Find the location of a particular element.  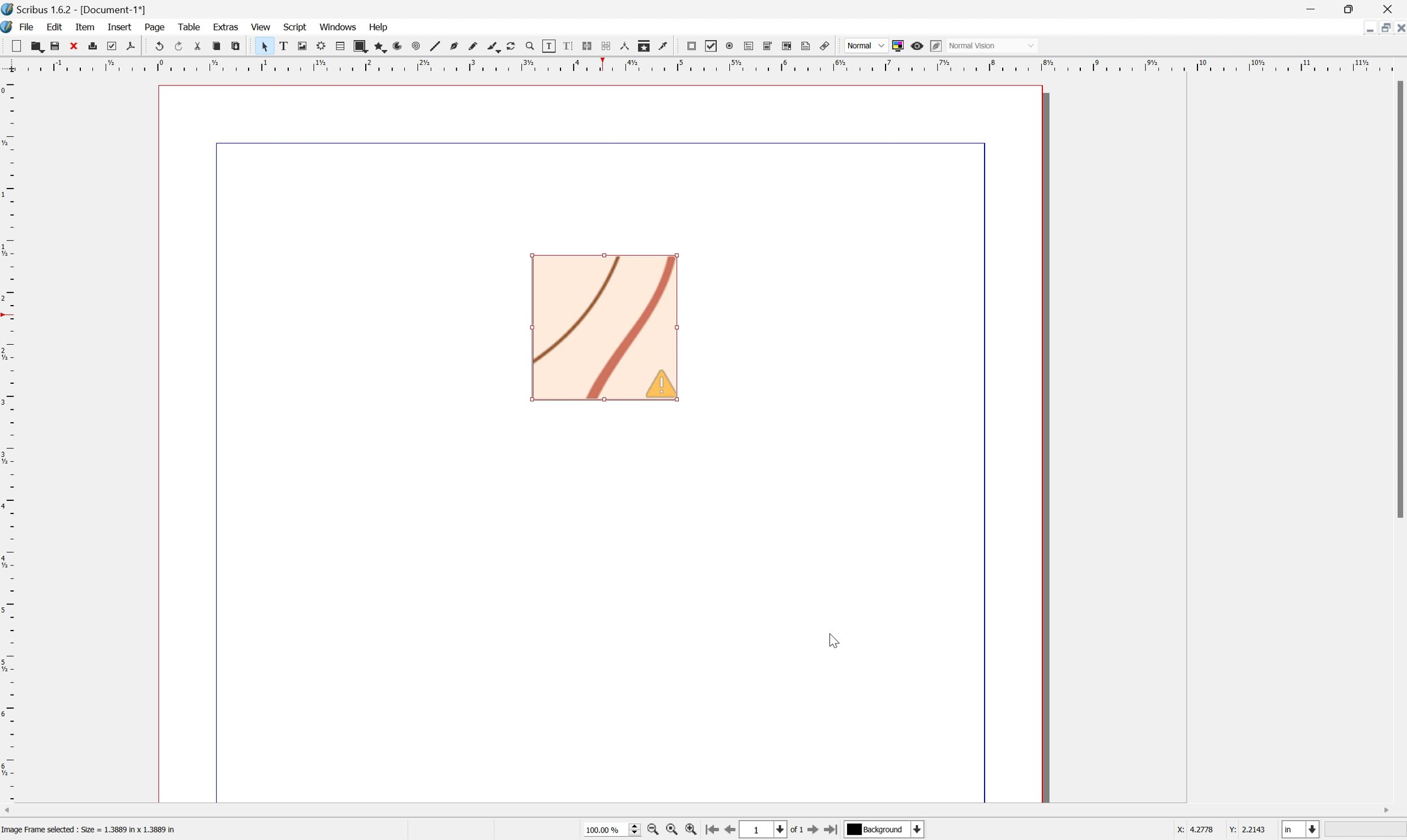

Open is located at coordinates (36, 46).